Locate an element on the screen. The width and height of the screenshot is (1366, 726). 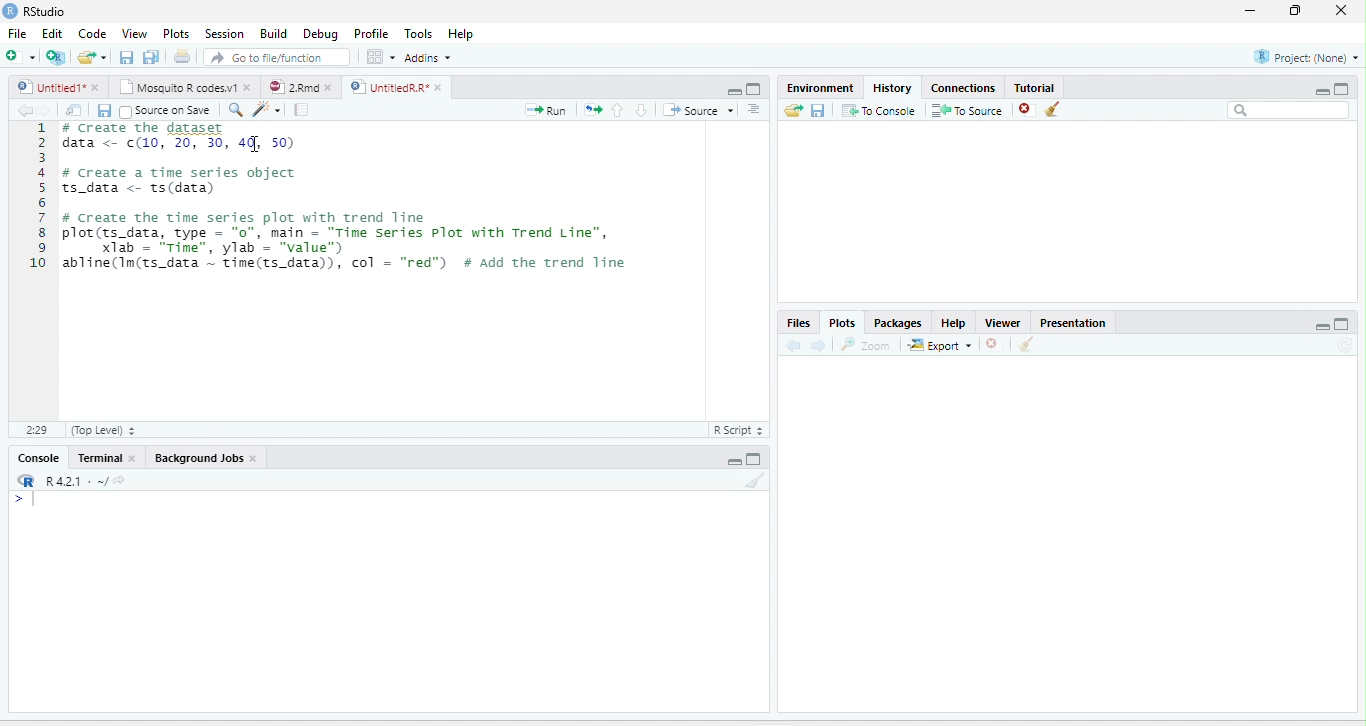
Zoom is located at coordinates (867, 344).